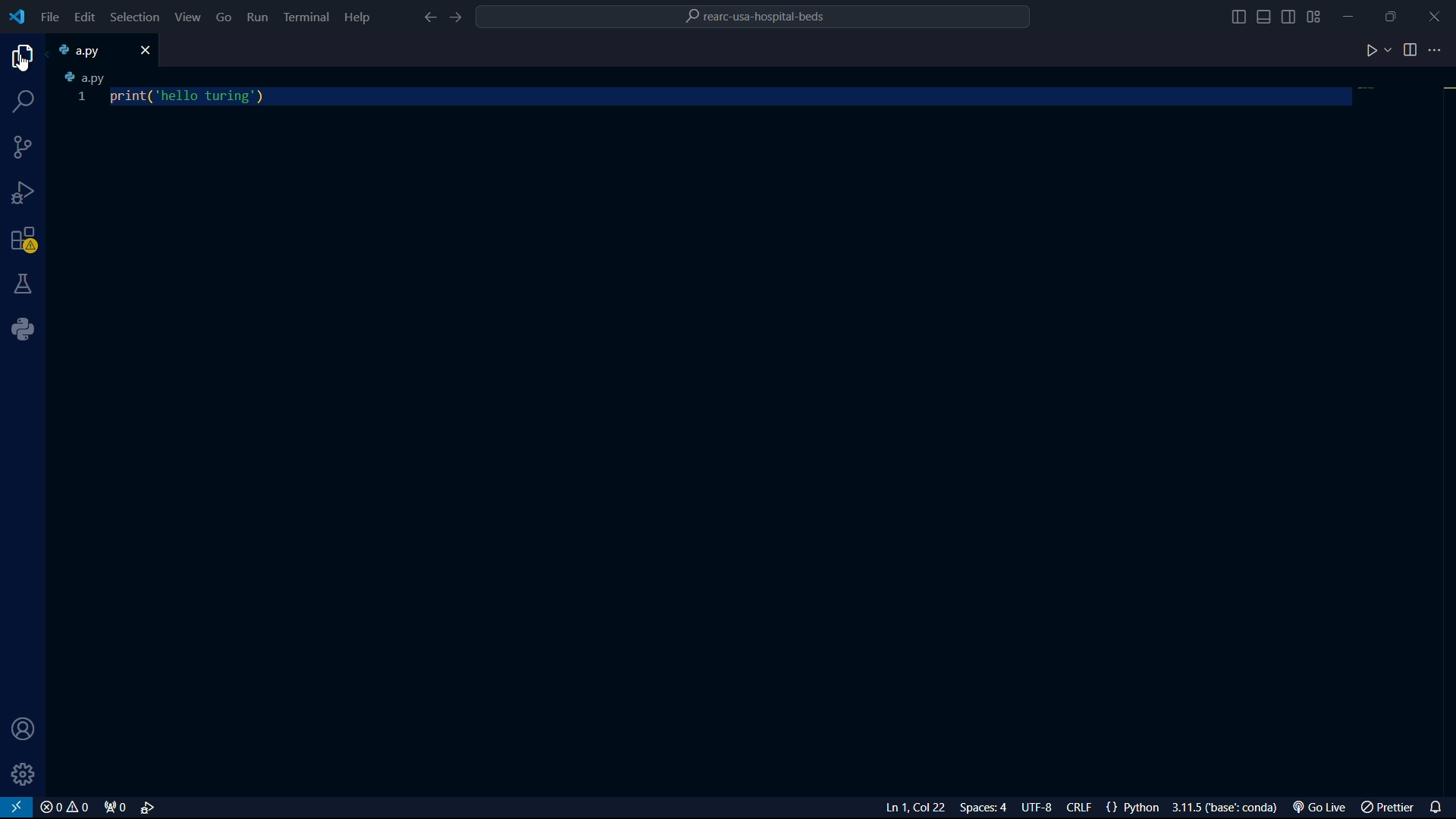 The height and width of the screenshot is (819, 1456). What do you see at coordinates (85, 17) in the screenshot?
I see `edit menu` at bounding box center [85, 17].